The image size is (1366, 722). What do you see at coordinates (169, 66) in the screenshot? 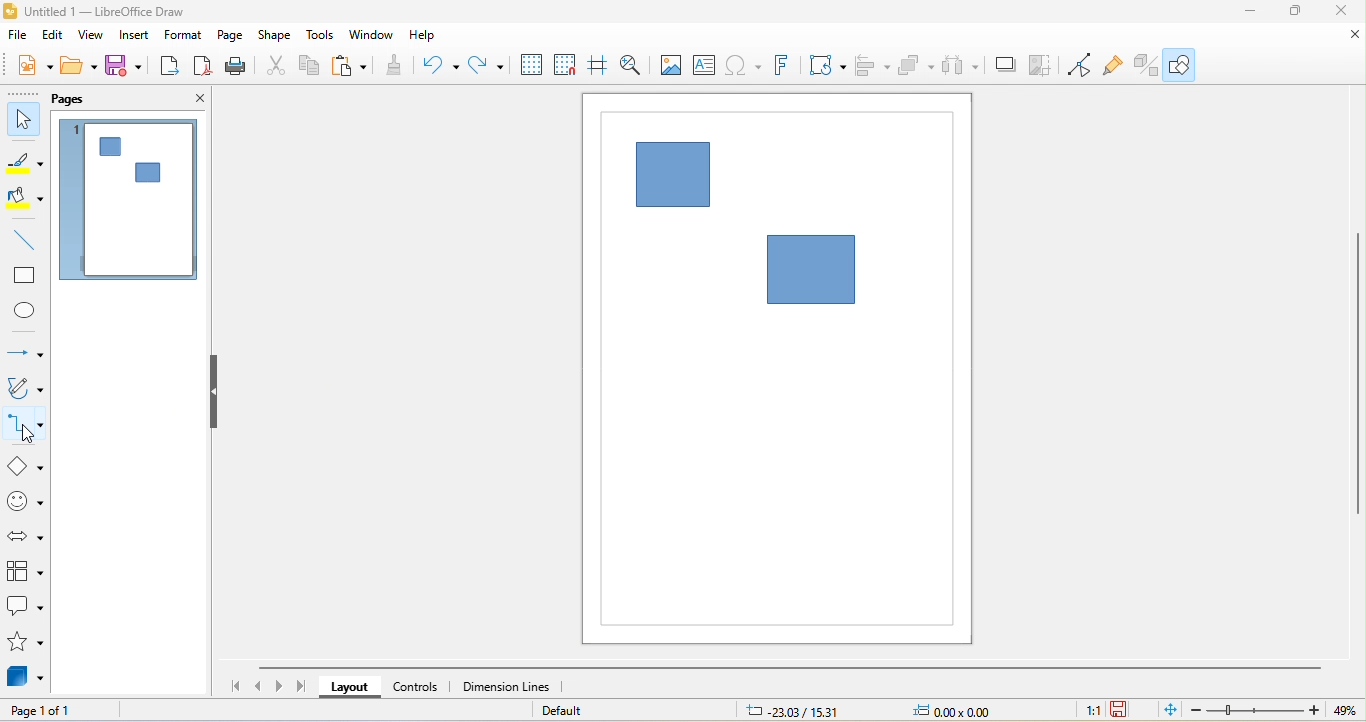
I see `export` at bounding box center [169, 66].